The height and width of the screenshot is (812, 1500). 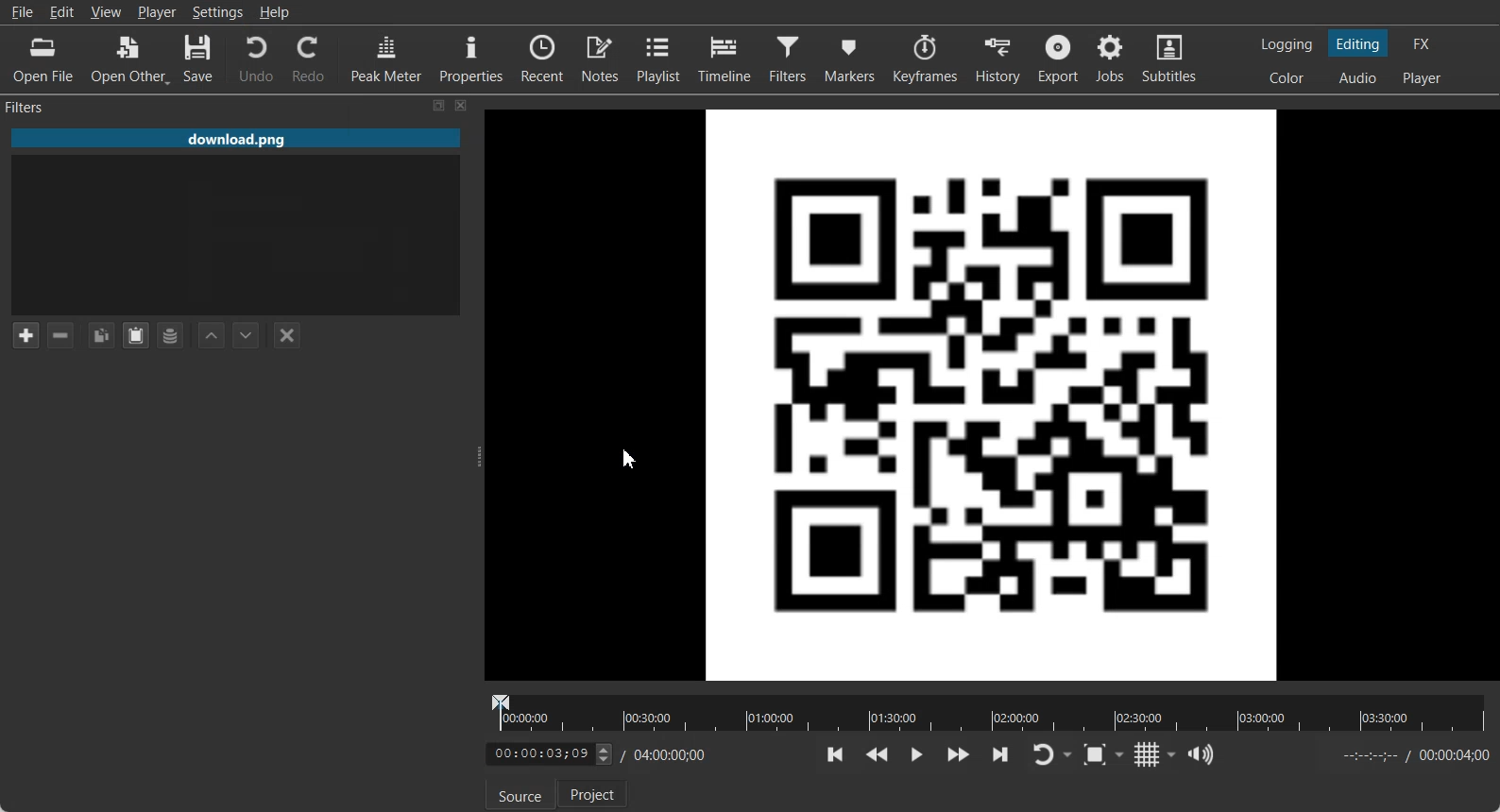 I want to click on Undo, so click(x=255, y=59).